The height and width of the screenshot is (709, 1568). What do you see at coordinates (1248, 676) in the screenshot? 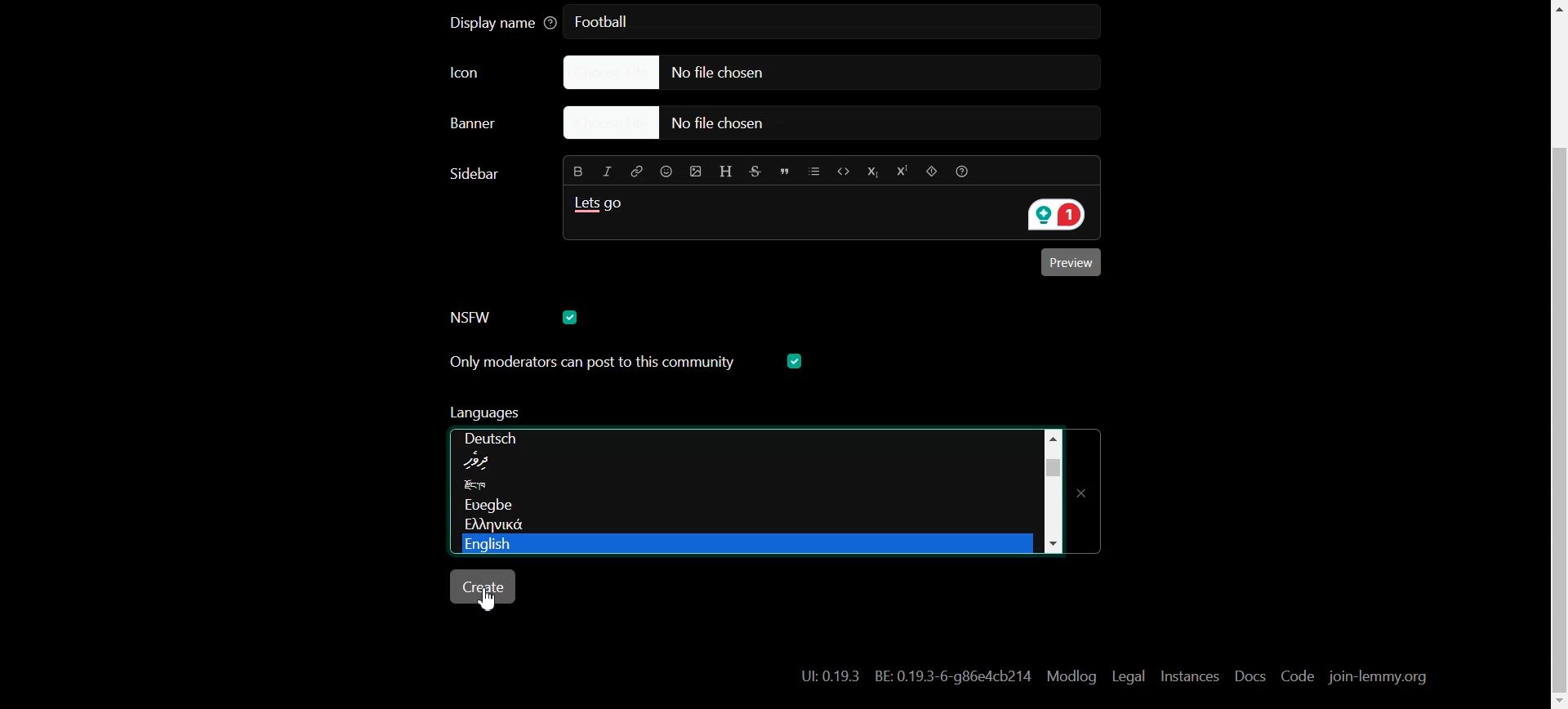
I see `Docs` at bounding box center [1248, 676].